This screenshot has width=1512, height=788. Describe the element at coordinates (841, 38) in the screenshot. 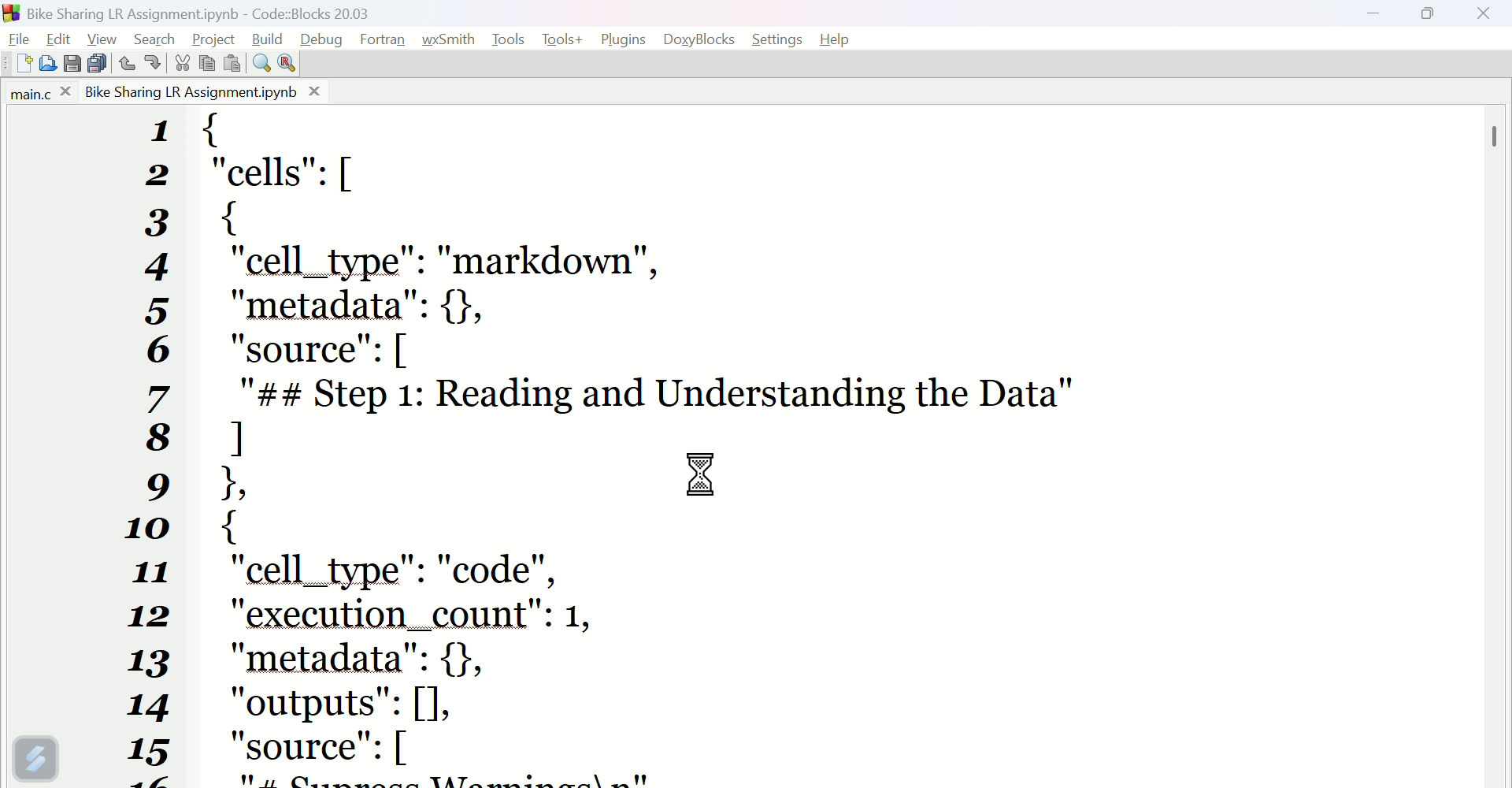

I see `help` at that location.